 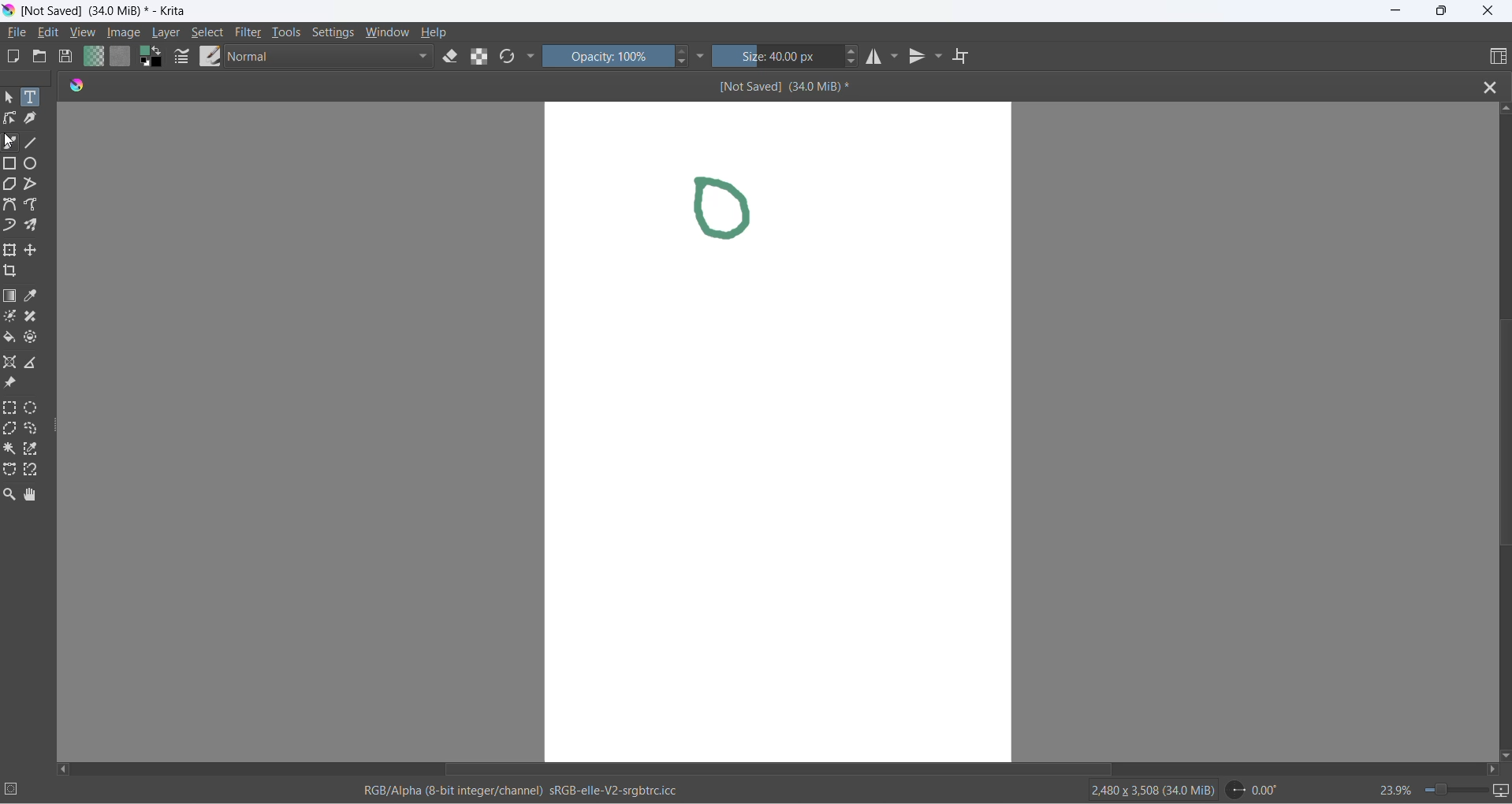 What do you see at coordinates (479, 56) in the screenshot?
I see `preserve alpha` at bounding box center [479, 56].